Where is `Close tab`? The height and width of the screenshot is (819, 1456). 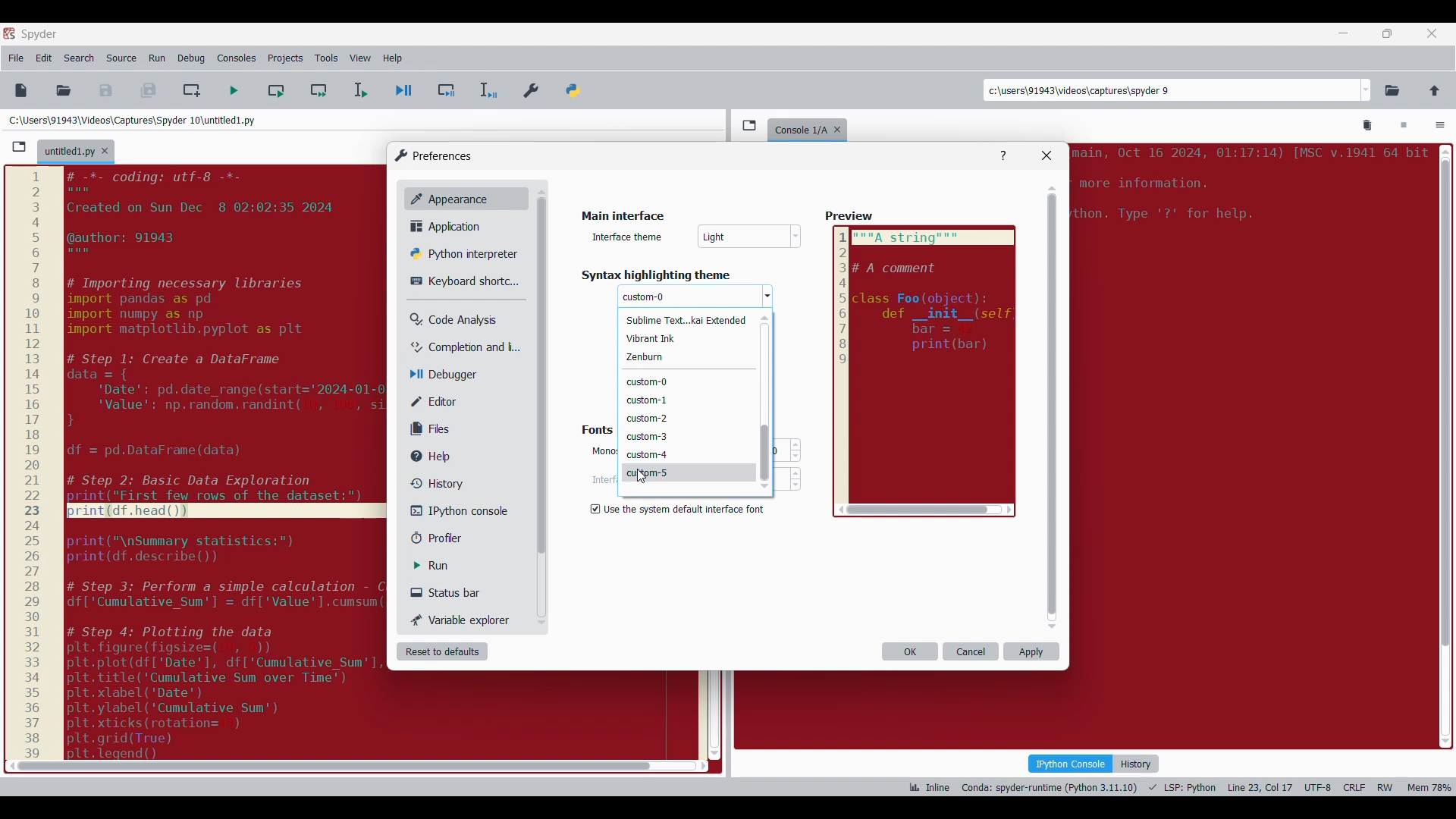 Close tab is located at coordinates (841, 127).